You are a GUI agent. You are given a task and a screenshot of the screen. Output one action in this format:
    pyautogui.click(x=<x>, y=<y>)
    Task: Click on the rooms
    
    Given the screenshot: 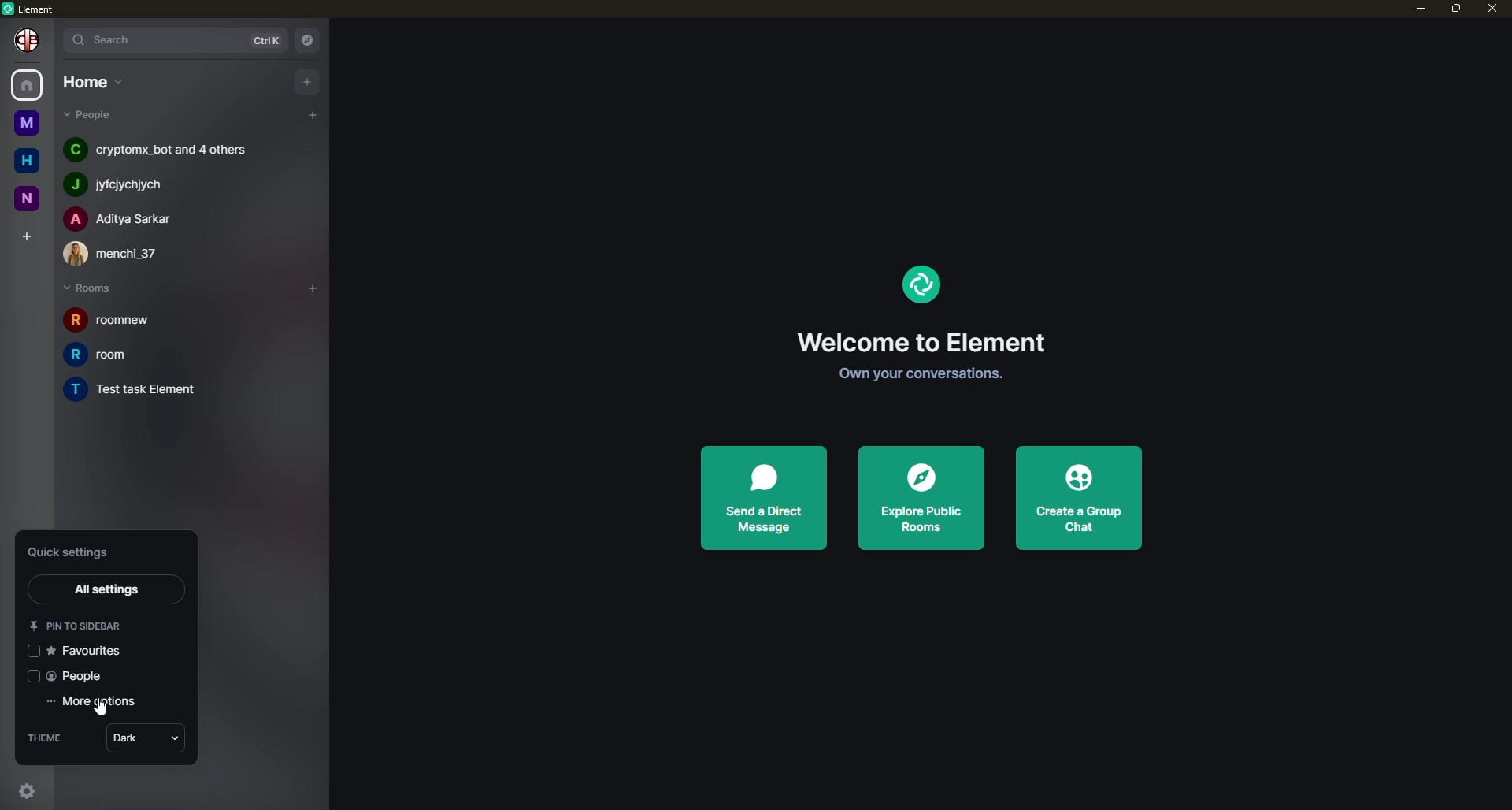 What is the action you would take?
    pyautogui.click(x=91, y=288)
    